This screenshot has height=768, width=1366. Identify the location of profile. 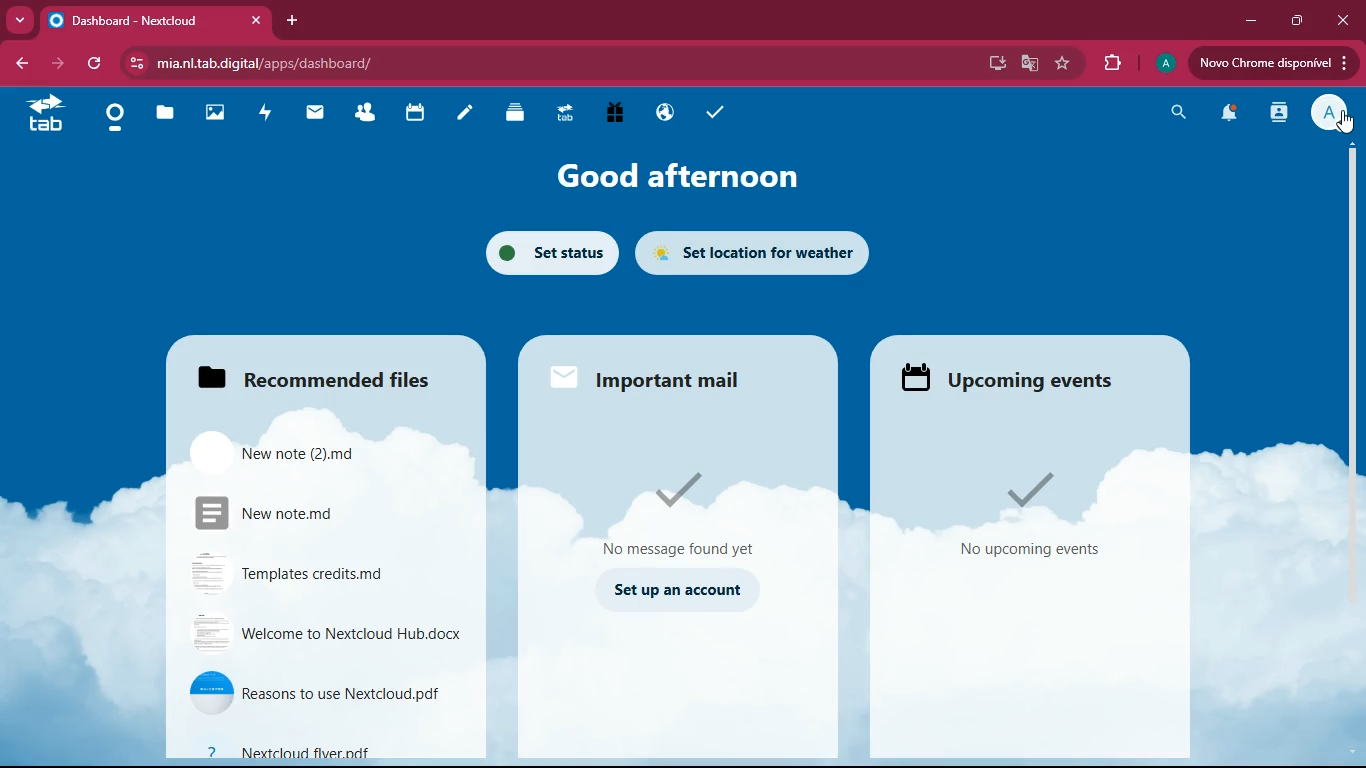
(1162, 65).